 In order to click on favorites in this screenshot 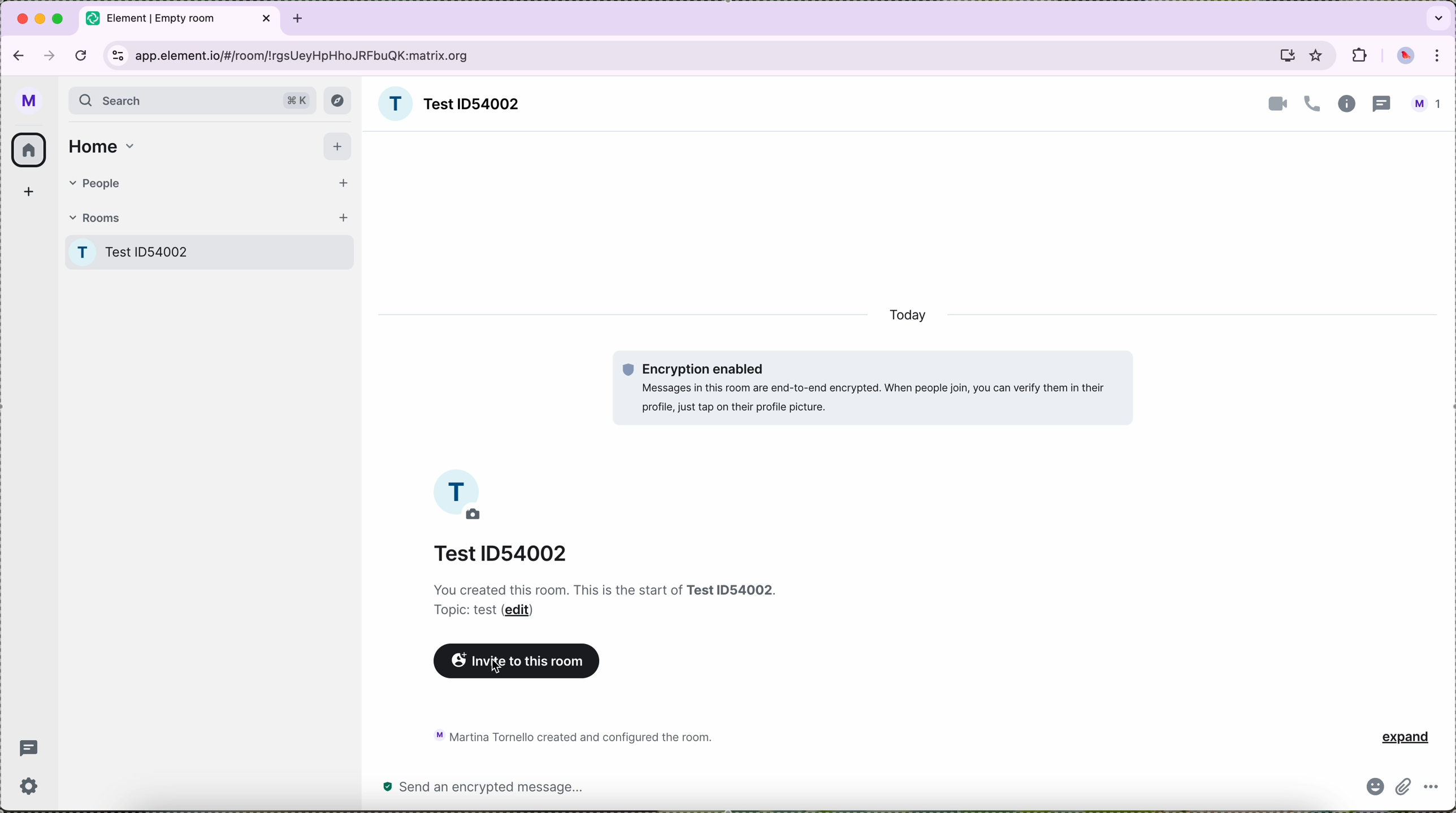, I will do `click(1316, 55)`.